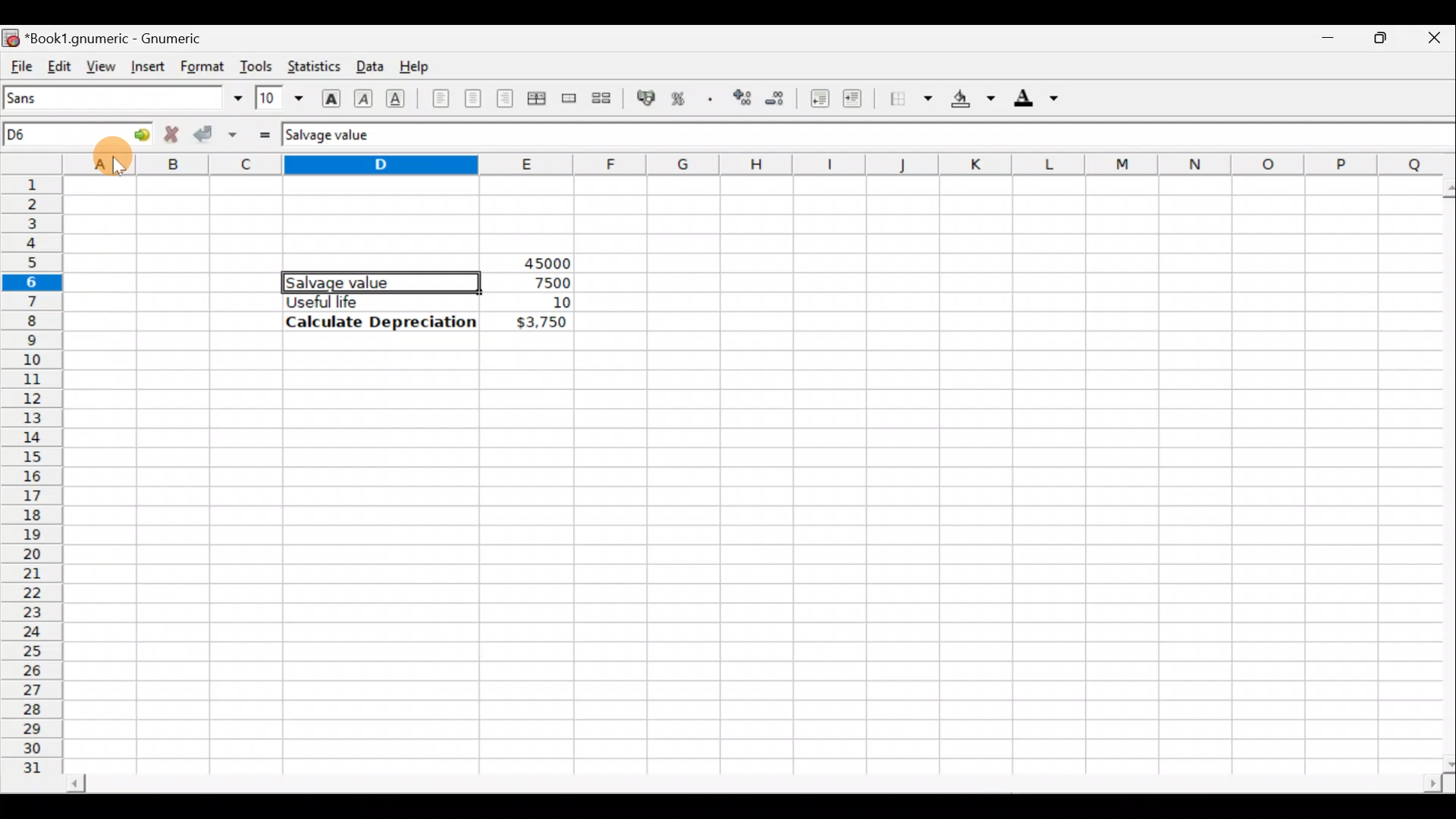  What do you see at coordinates (368, 65) in the screenshot?
I see `Data` at bounding box center [368, 65].